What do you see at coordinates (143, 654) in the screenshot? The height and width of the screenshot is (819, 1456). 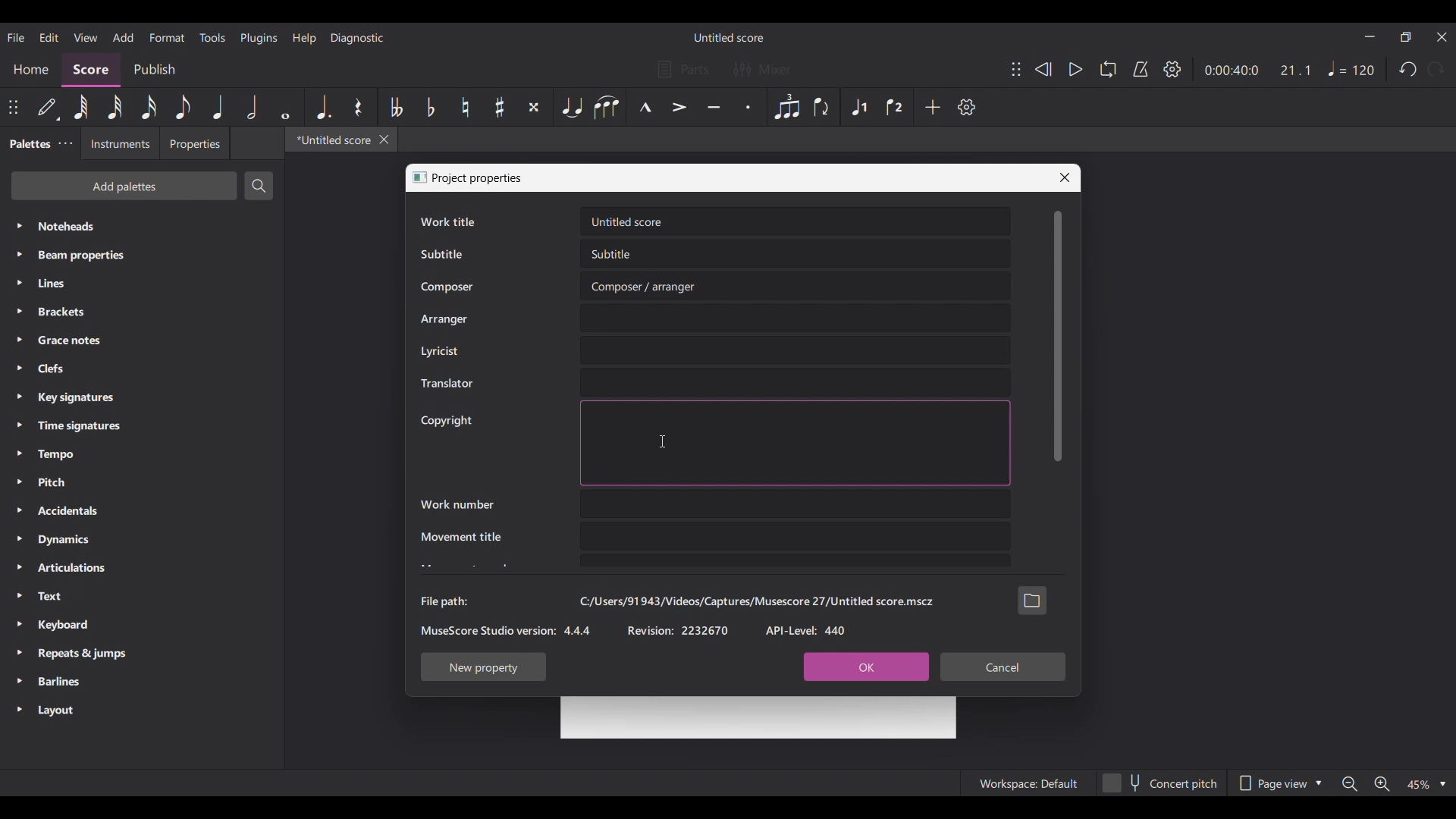 I see `Repeats & jumps` at bounding box center [143, 654].